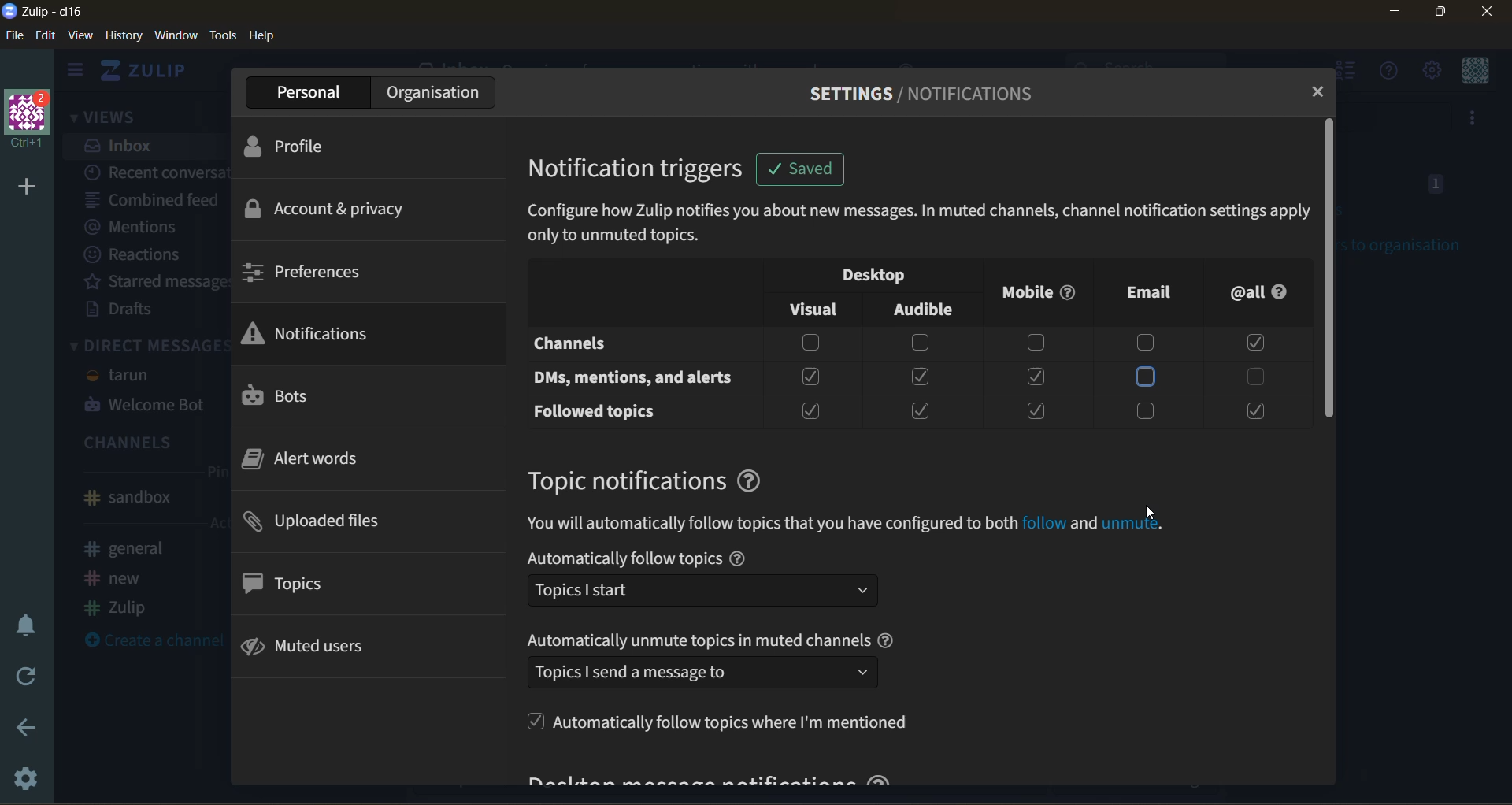 The width and height of the screenshot is (1512, 805). What do you see at coordinates (122, 37) in the screenshot?
I see `history` at bounding box center [122, 37].